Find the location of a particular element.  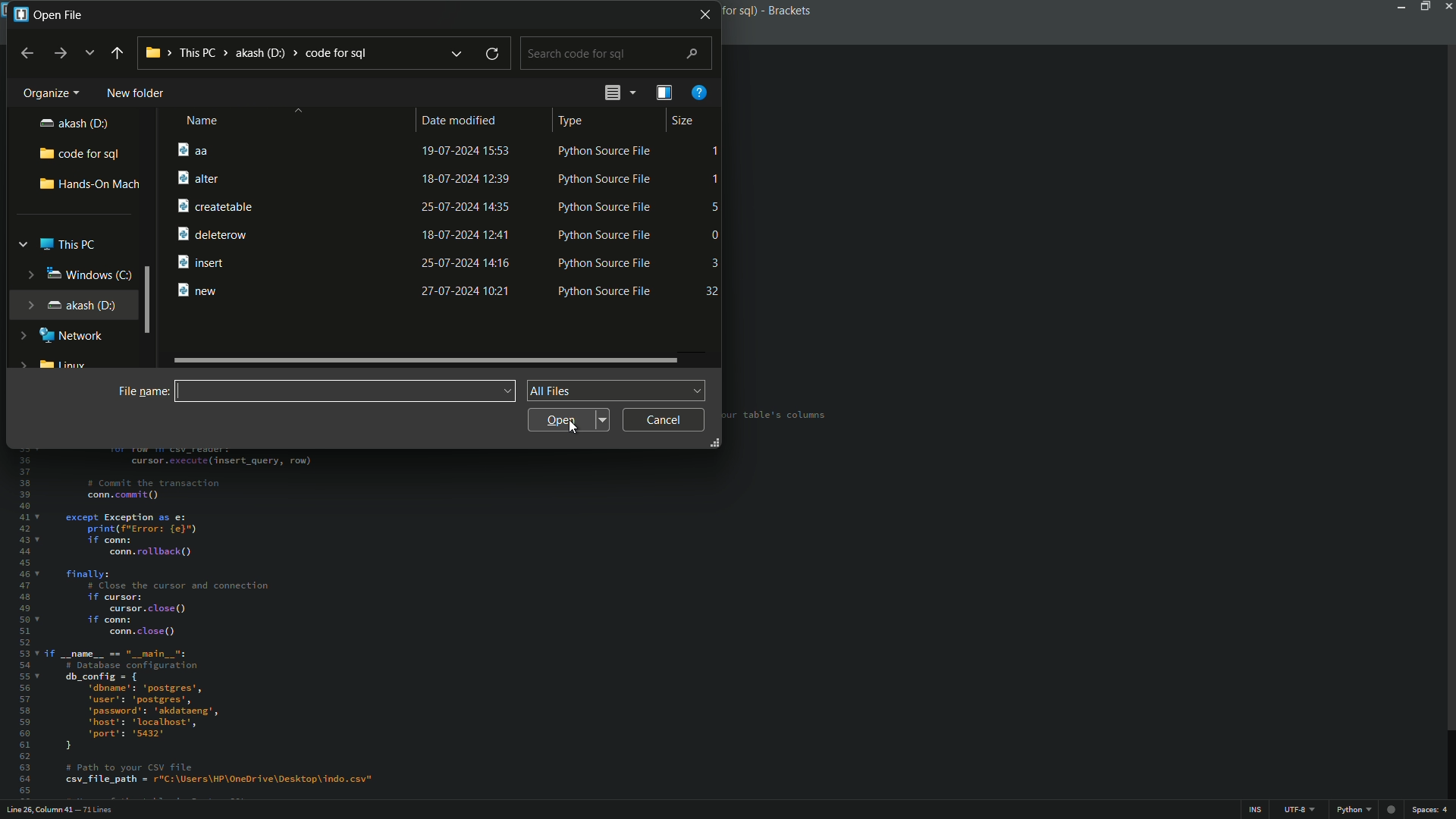

3 is located at coordinates (714, 260).